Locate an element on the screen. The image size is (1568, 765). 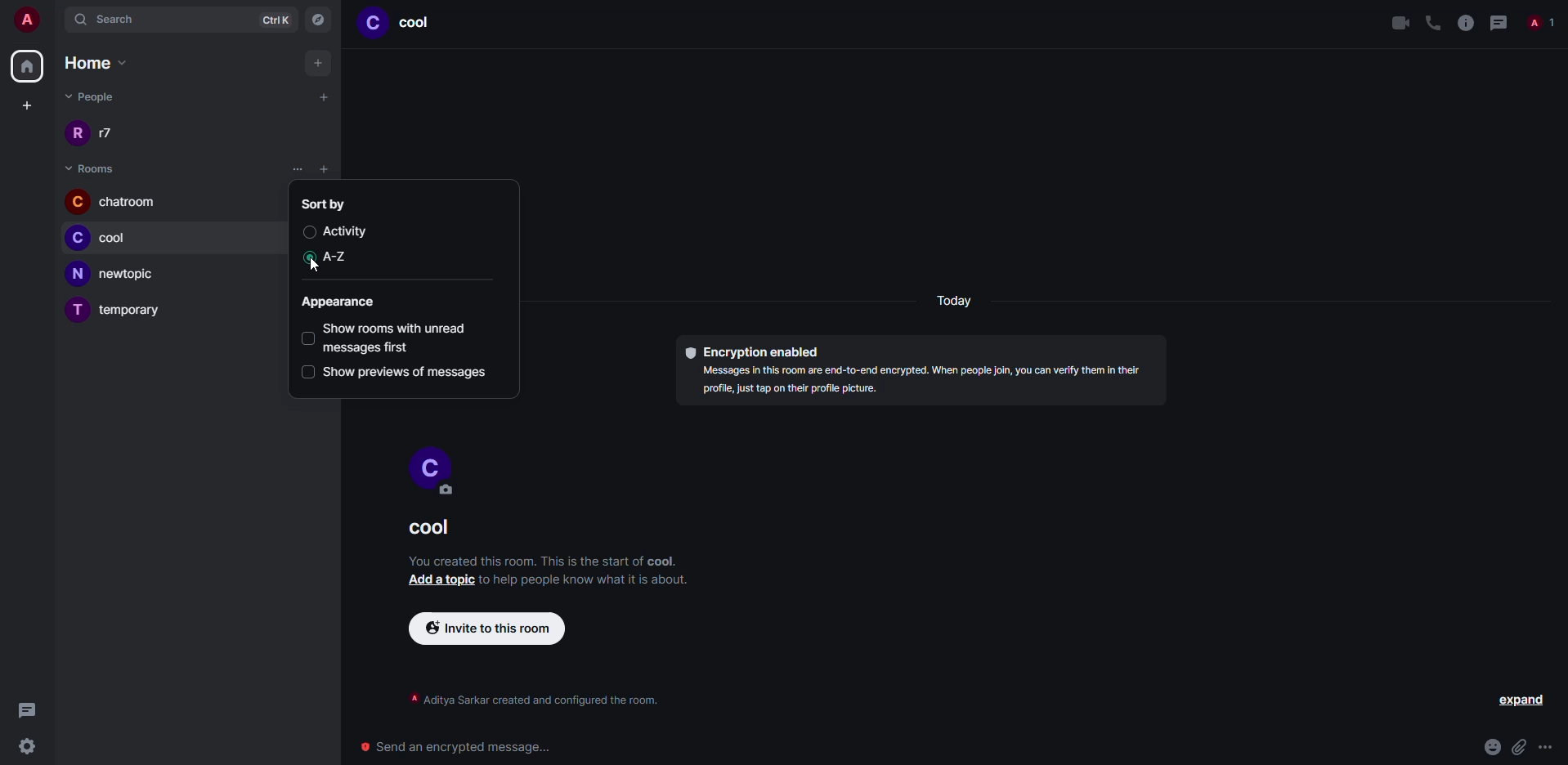
settings is located at coordinates (24, 748).